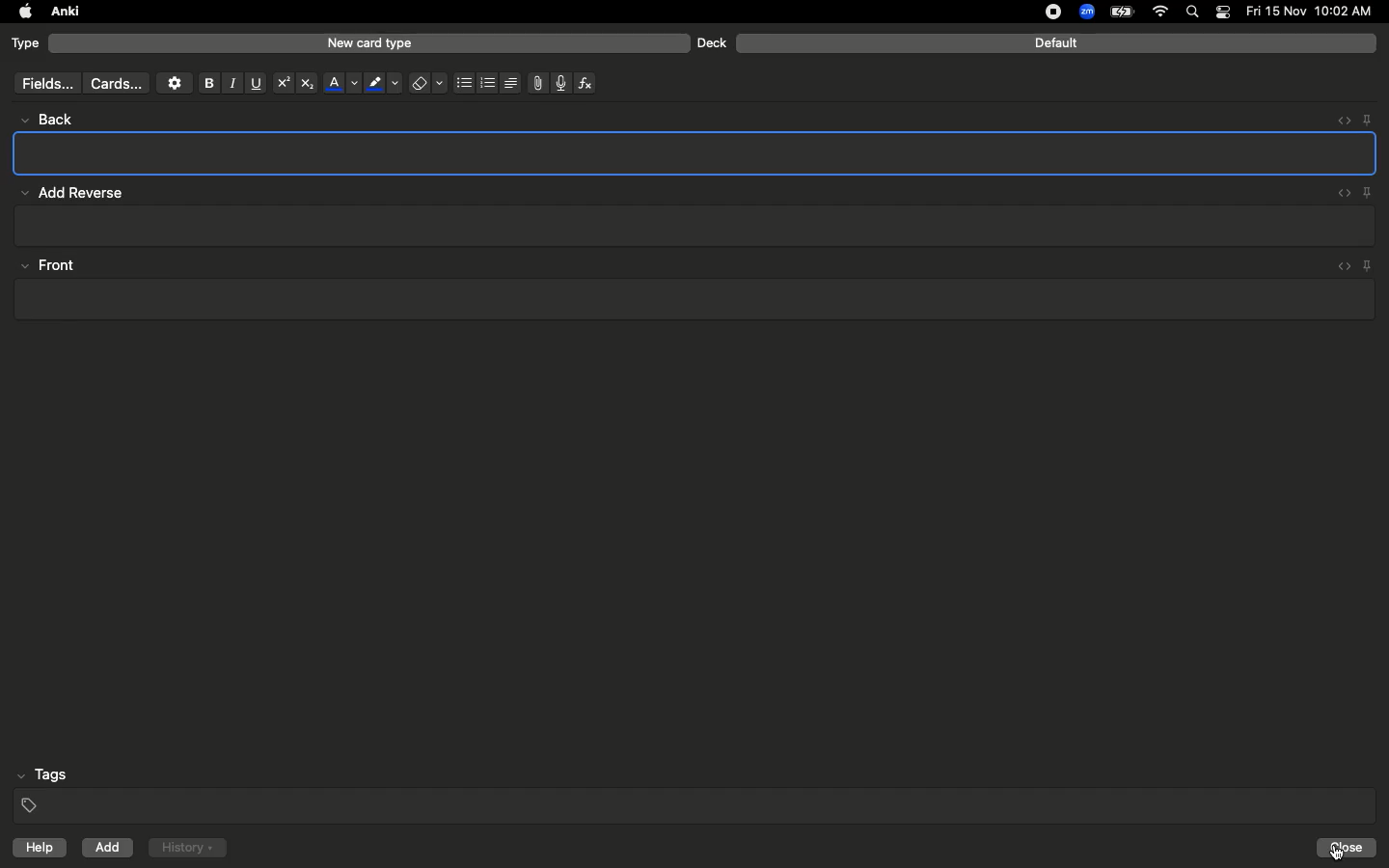 Image resolution: width=1389 pixels, height=868 pixels. I want to click on Search, so click(1195, 13).